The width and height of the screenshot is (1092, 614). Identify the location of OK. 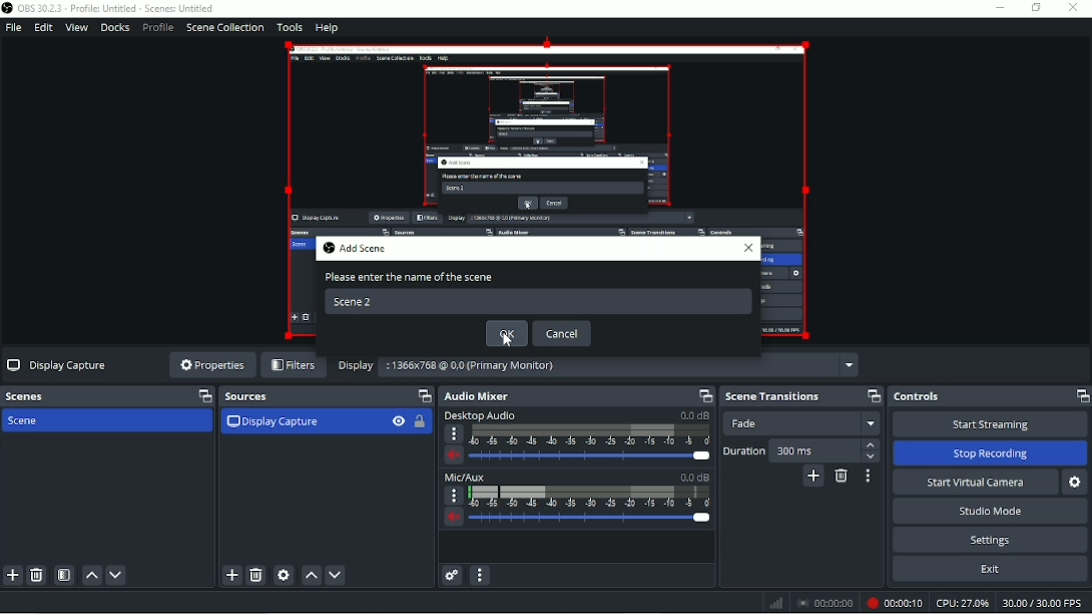
(509, 333).